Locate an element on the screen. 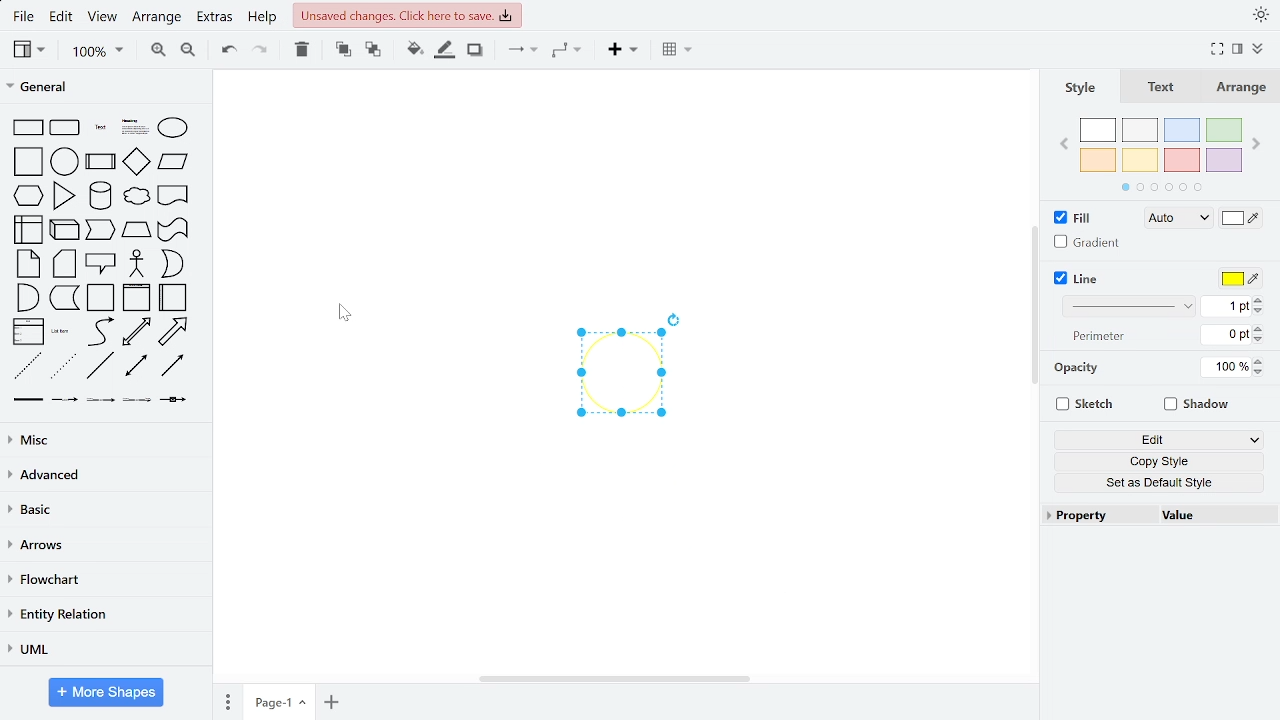 This screenshot has height=720, width=1280. pages in color is located at coordinates (1162, 188).